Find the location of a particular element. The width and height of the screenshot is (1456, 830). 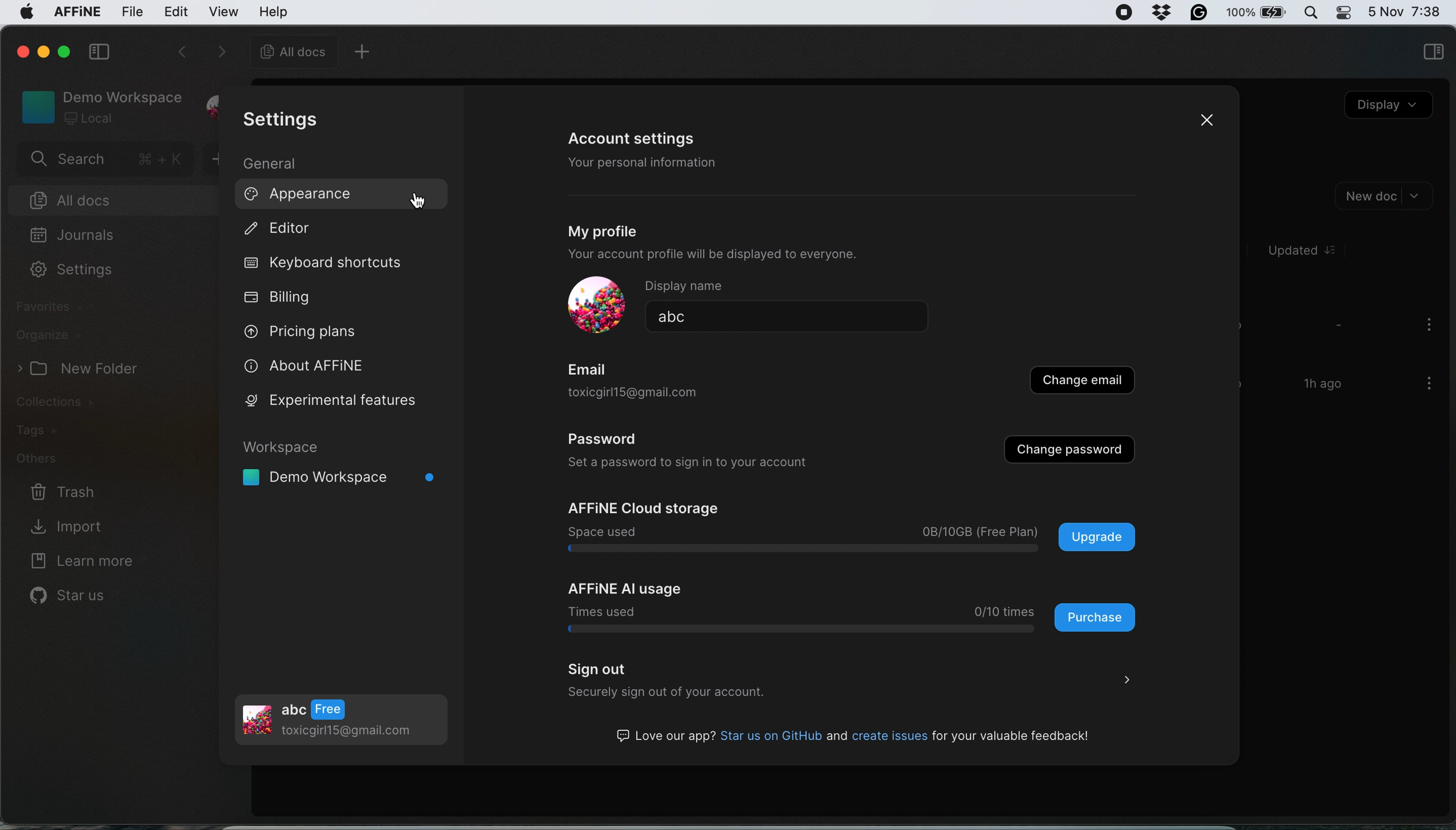

more options is located at coordinates (1425, 385).